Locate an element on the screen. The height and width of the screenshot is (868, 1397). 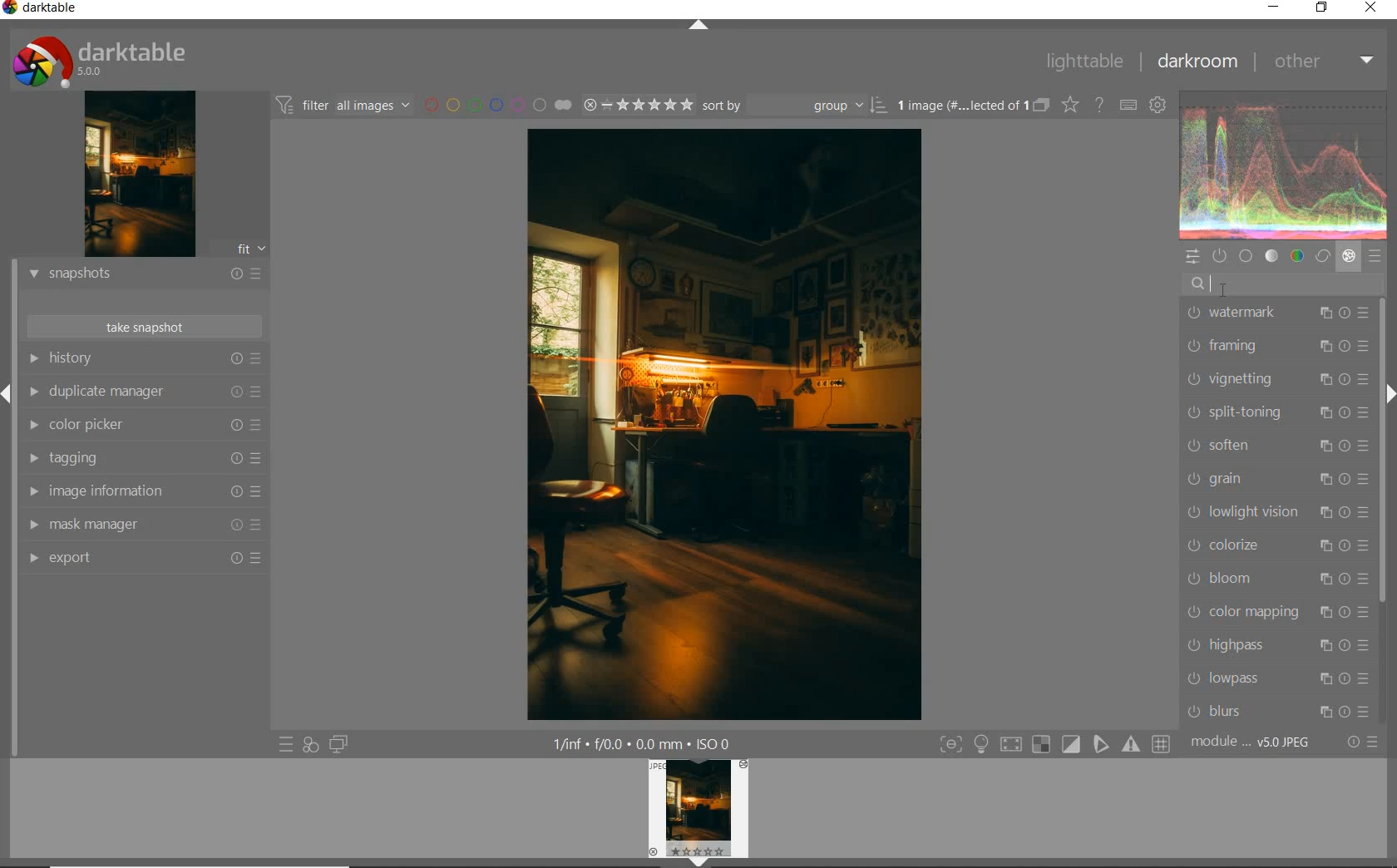
soften is located at coordinates (1276, 445).